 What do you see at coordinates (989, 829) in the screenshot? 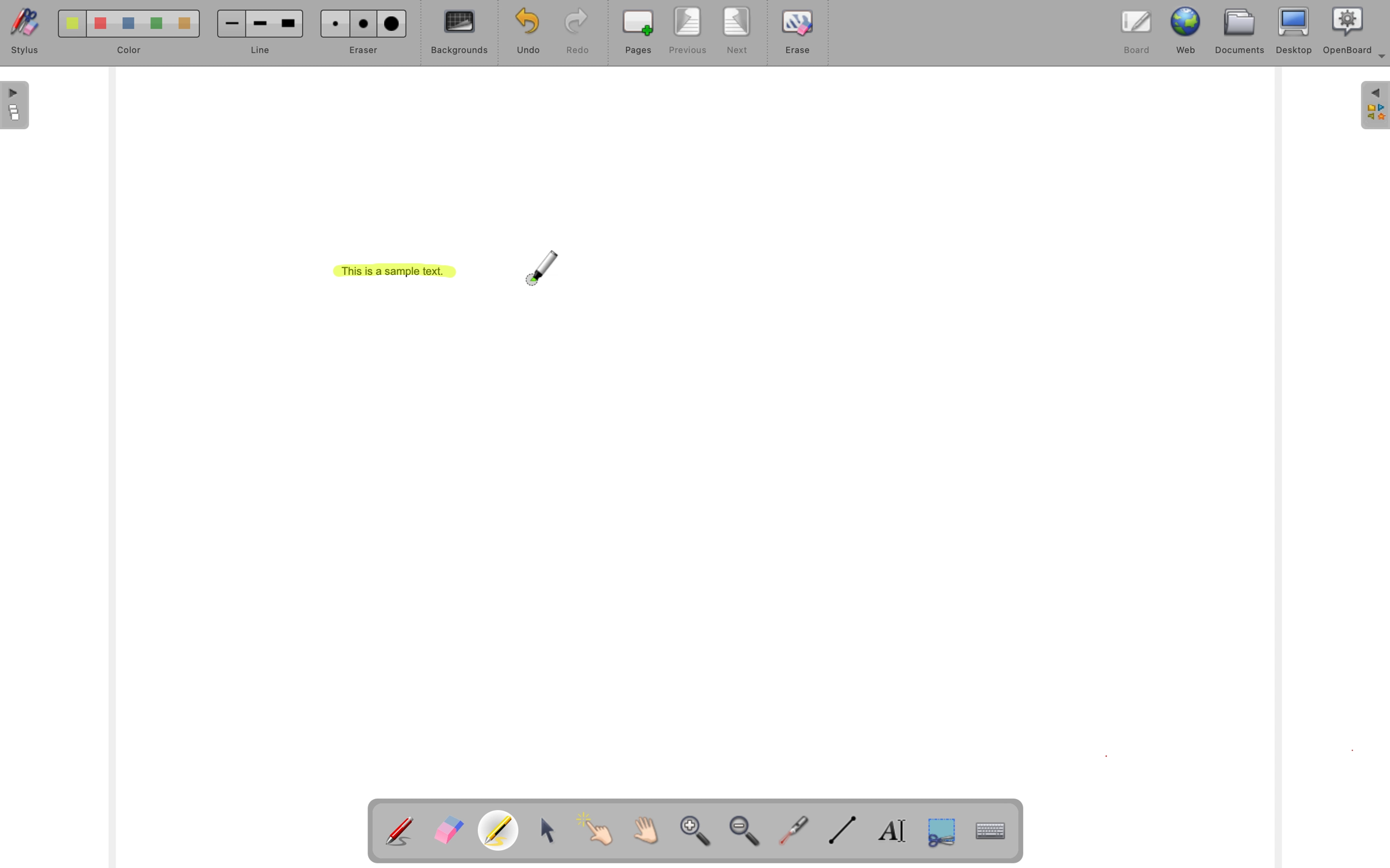
I see `display virtual keyboard` at bounding box center [989, 829].